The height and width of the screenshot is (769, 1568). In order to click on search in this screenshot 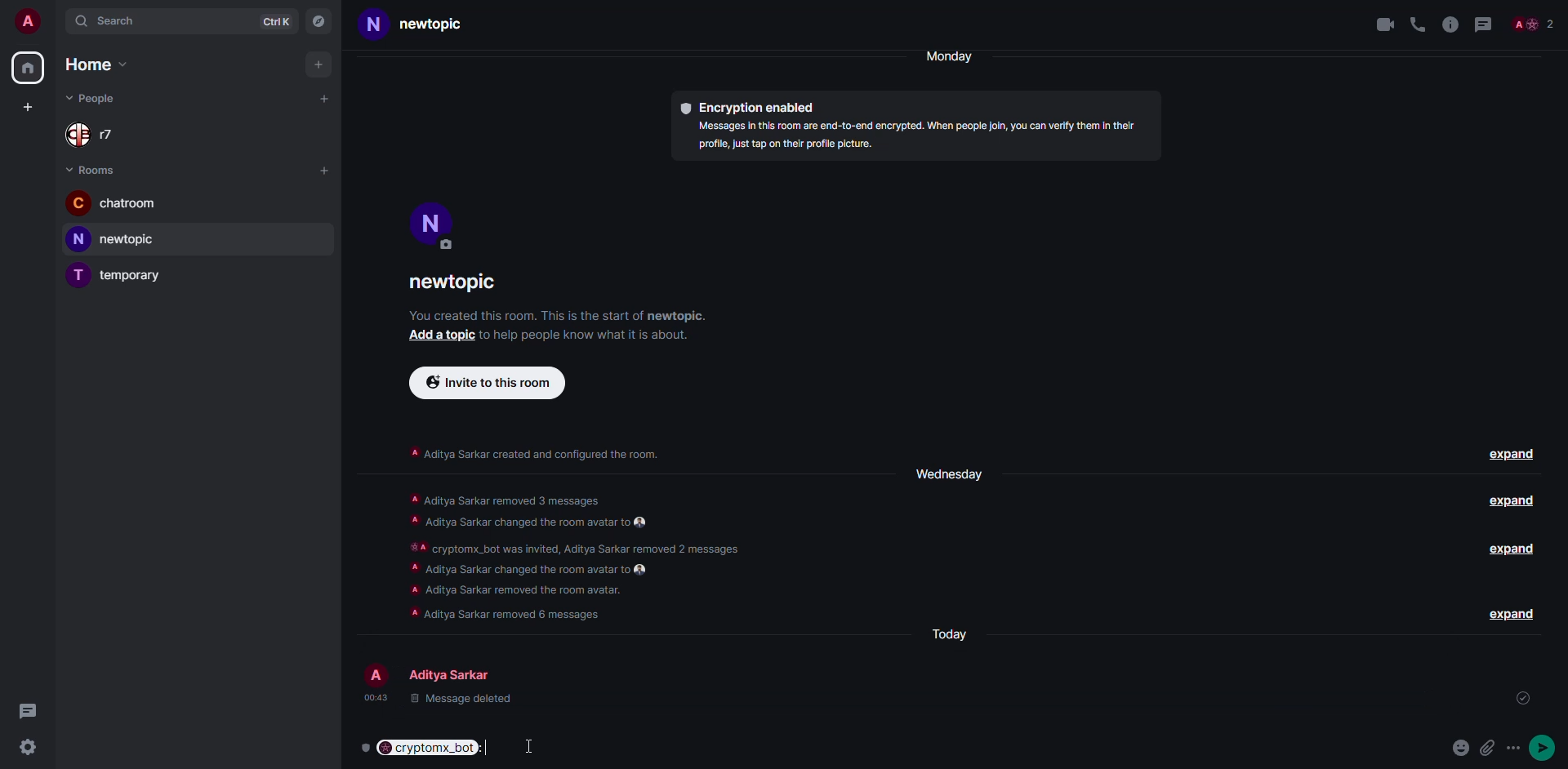, I will do `click(110, 22)`.